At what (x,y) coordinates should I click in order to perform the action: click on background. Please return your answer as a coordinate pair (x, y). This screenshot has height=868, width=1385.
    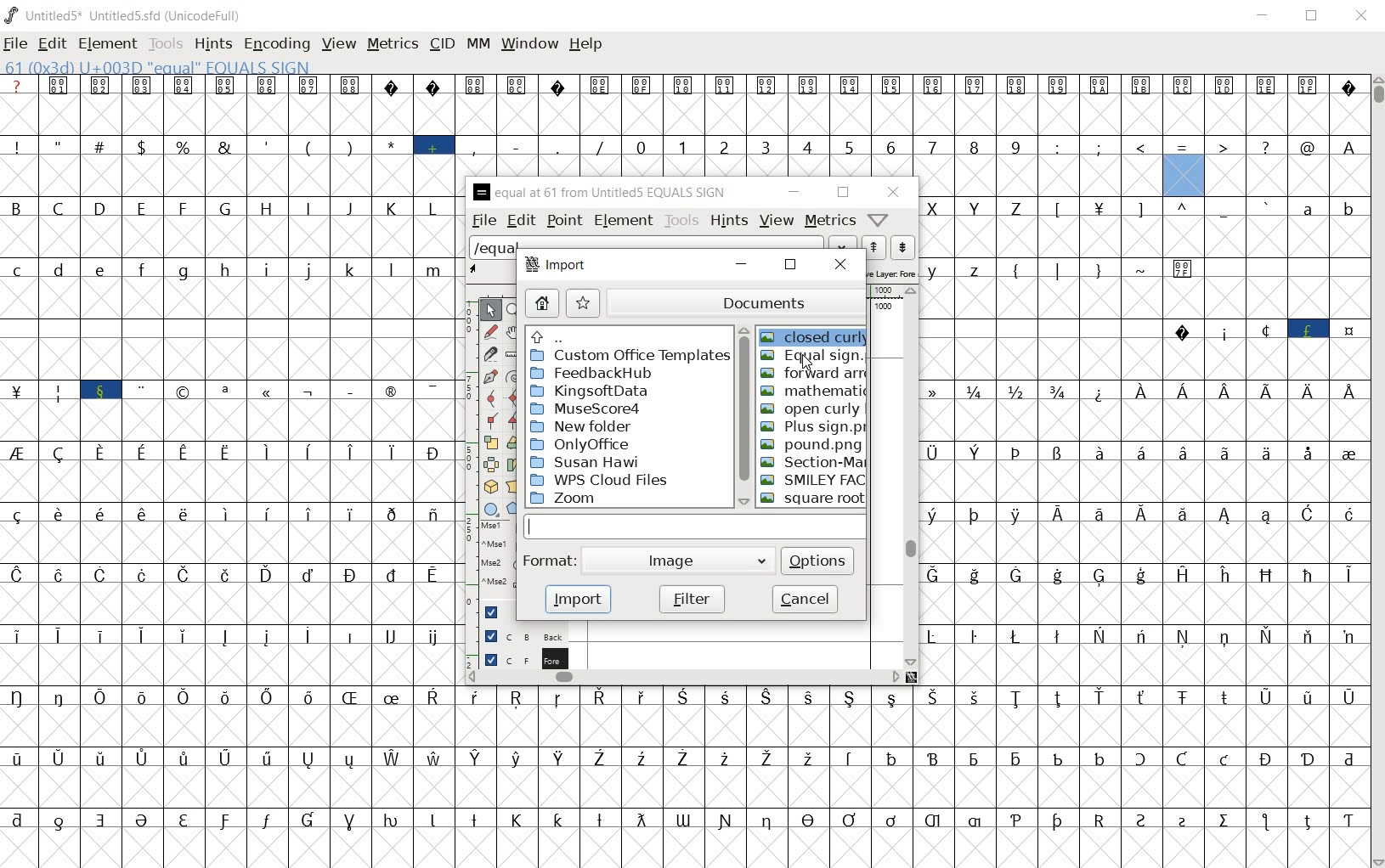
    Looking at the image, I should click on (523, 635).